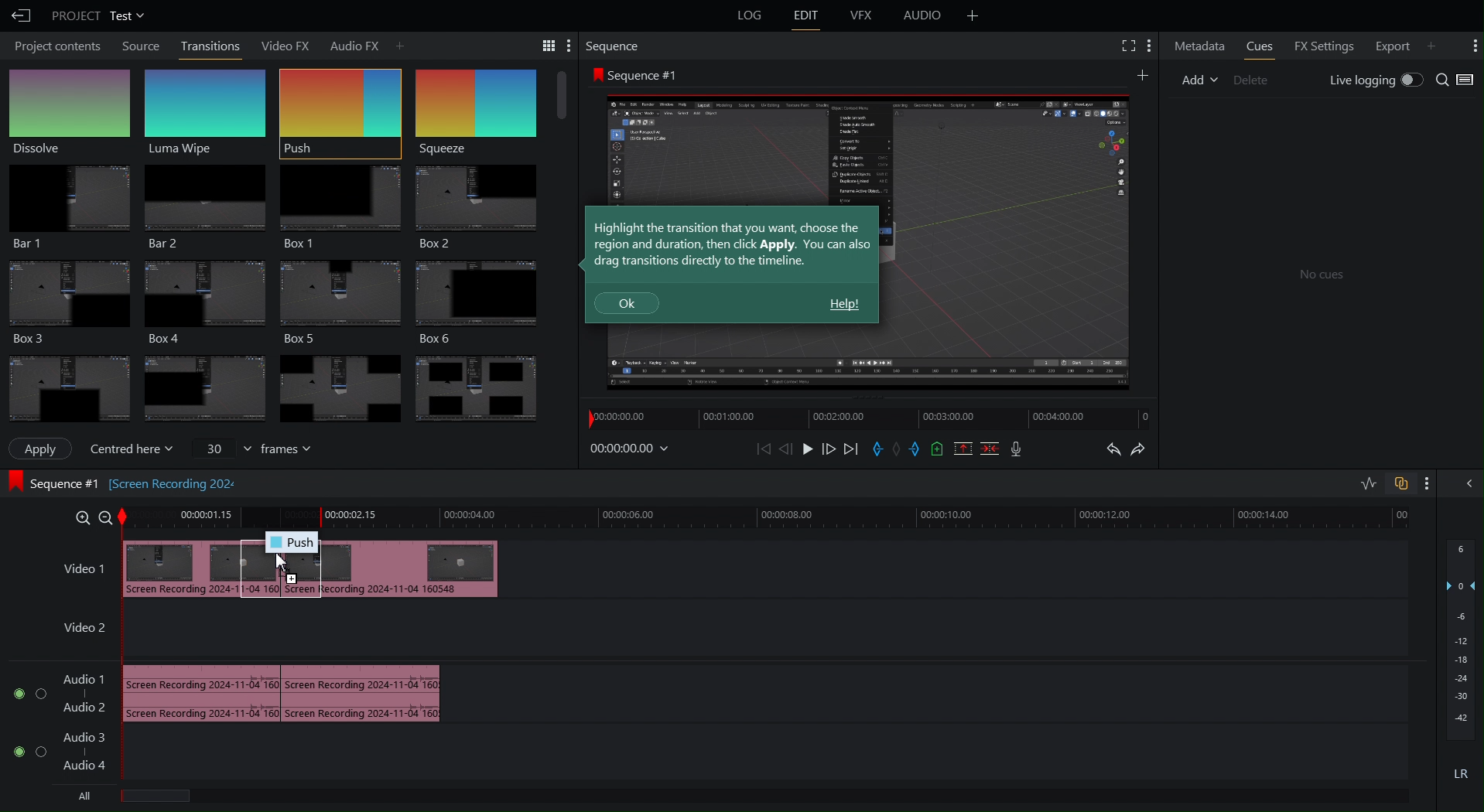 This screenshot has height=812, width=1484. I want to click on Box 6, so click(484, 302).